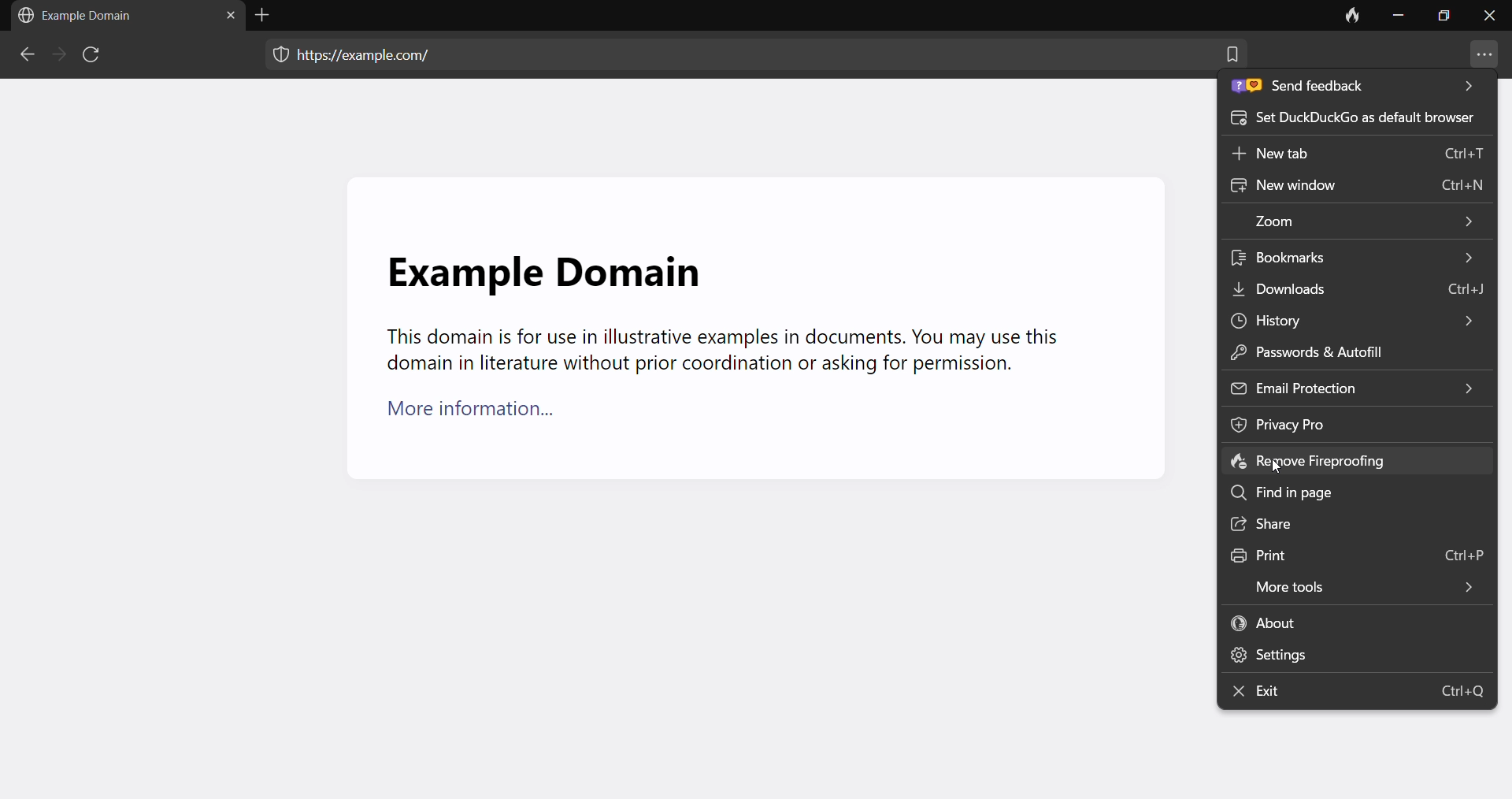 This screenshot has height=799, width=1512. Describe the element at coordinates (1339, 351) in the screenshot. I see `password and autofill` at that location.